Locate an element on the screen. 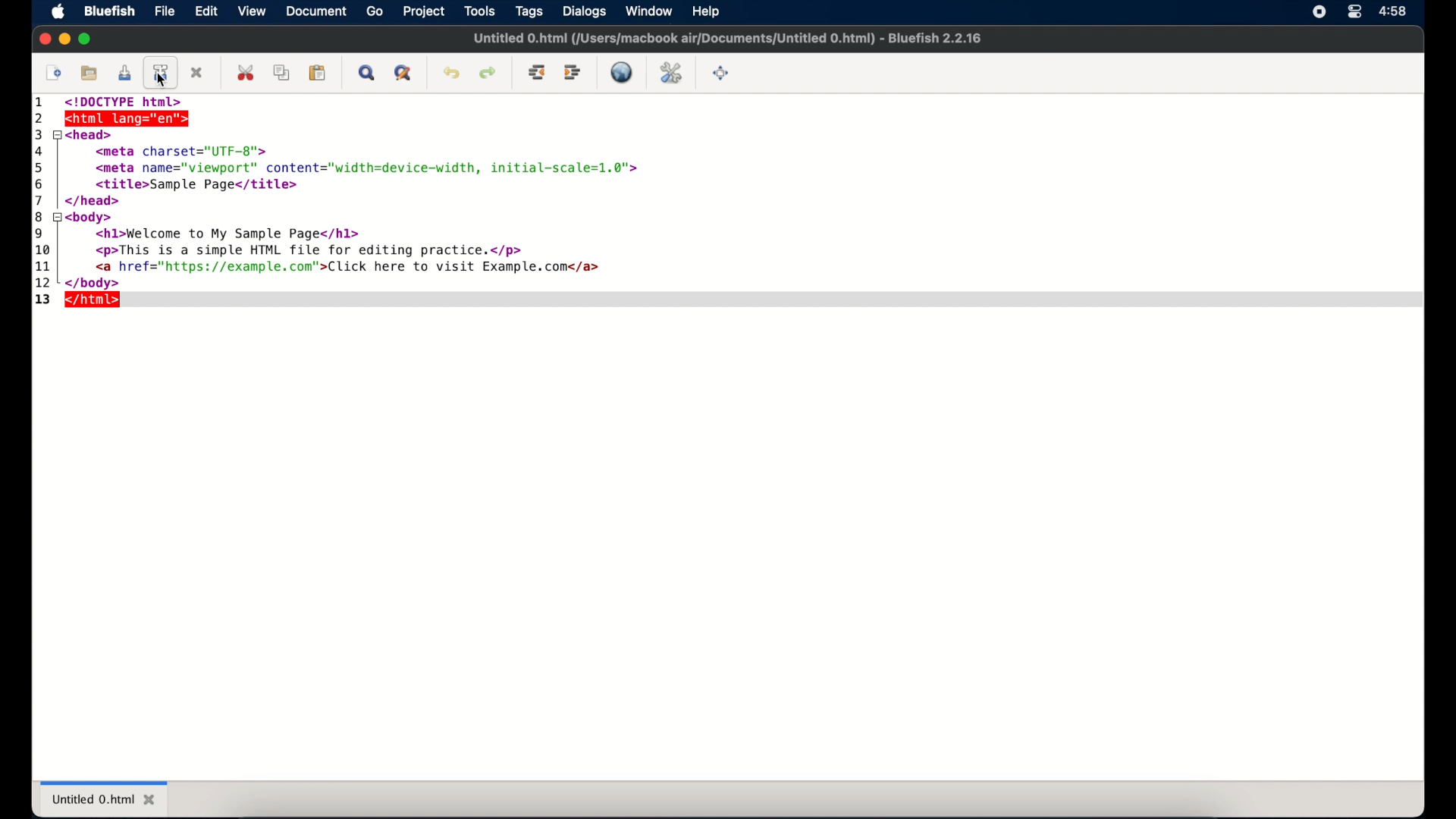  untitled 0.html is located at coordinates (105, 798).